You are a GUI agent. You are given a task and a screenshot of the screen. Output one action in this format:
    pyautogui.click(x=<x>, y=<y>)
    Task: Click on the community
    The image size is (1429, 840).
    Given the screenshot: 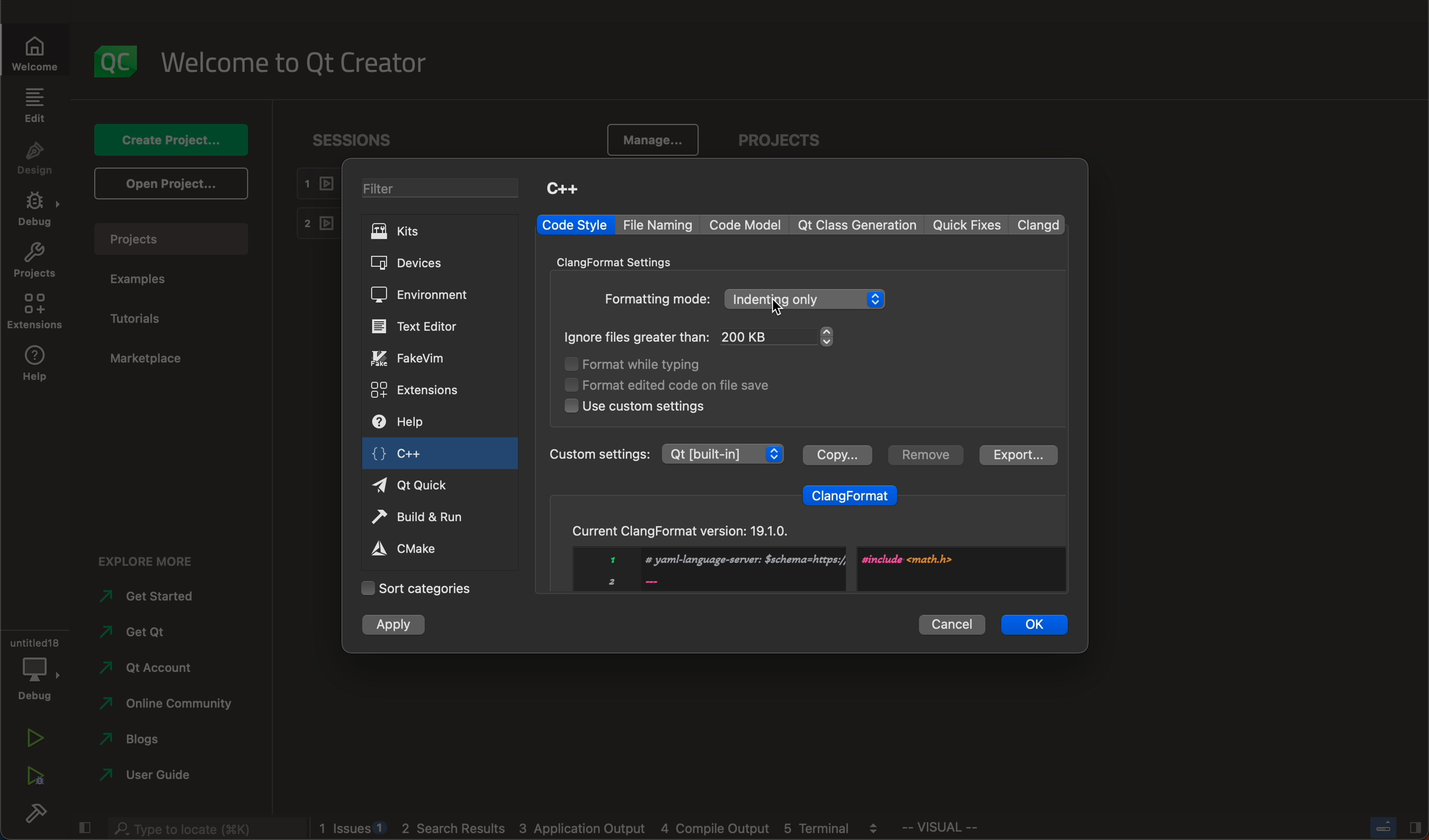 What is the action you would take?
    pyautogui.click(x=166, y=706)
    